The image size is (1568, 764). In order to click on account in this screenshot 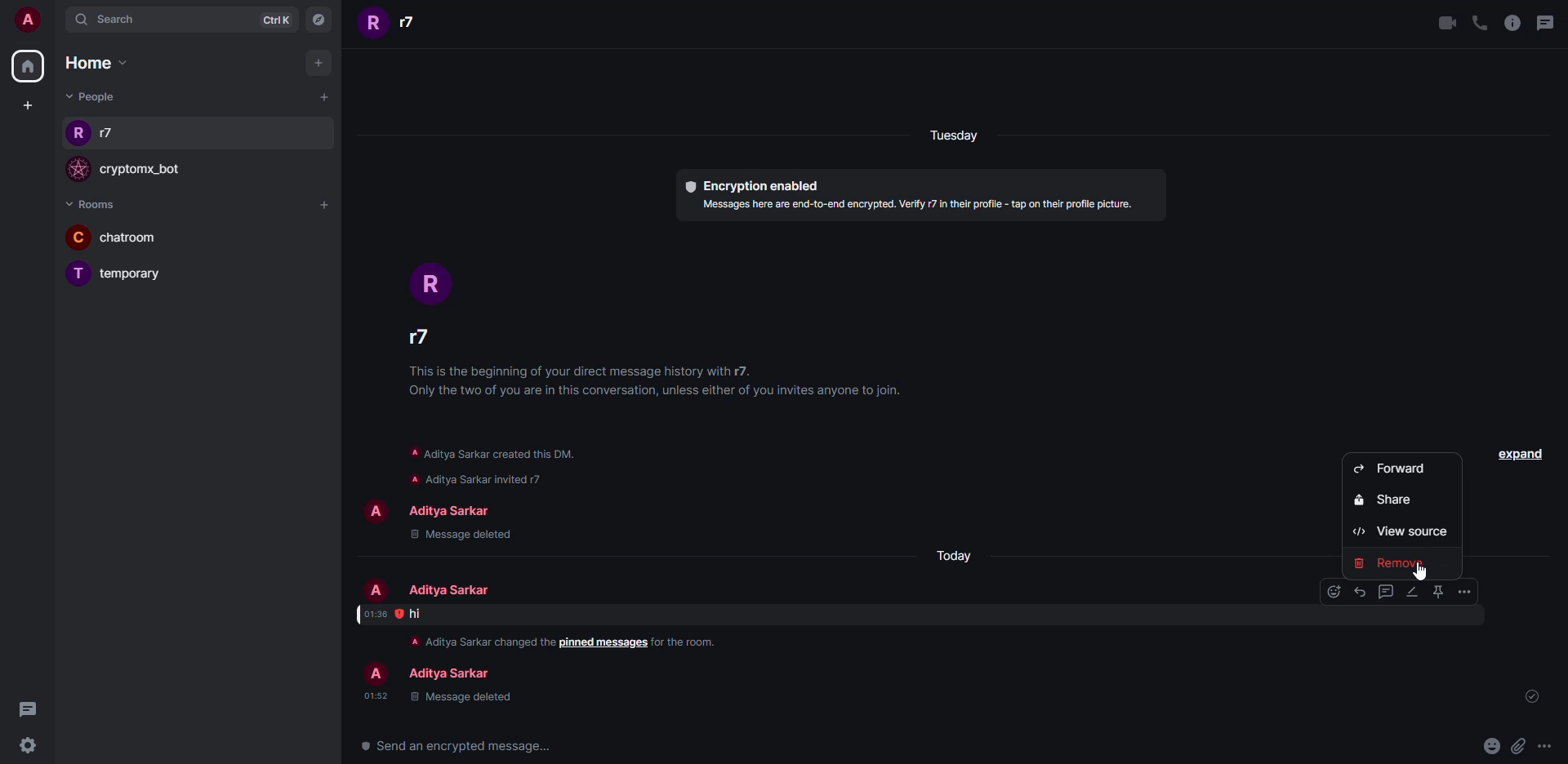, I will do `click(29, 20)`.